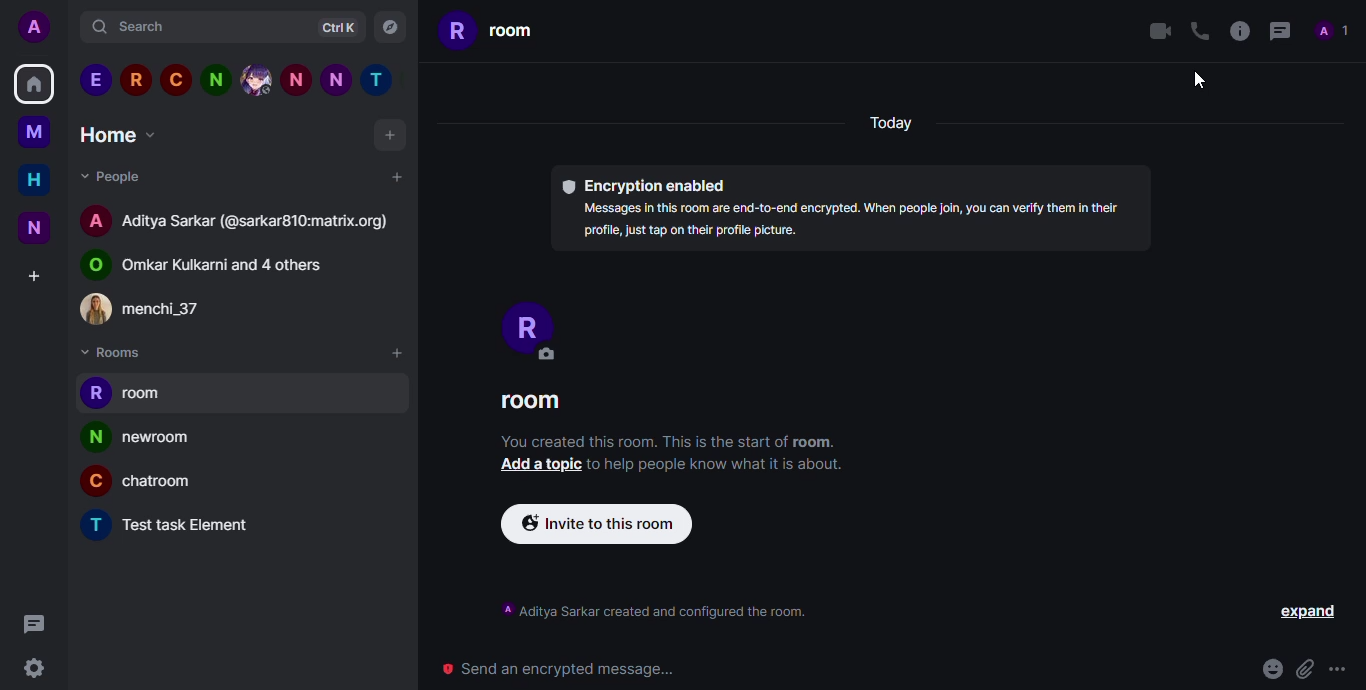 The width and height of the screenshot is (1366, 690). I want to click on Add, so click(397, 177).